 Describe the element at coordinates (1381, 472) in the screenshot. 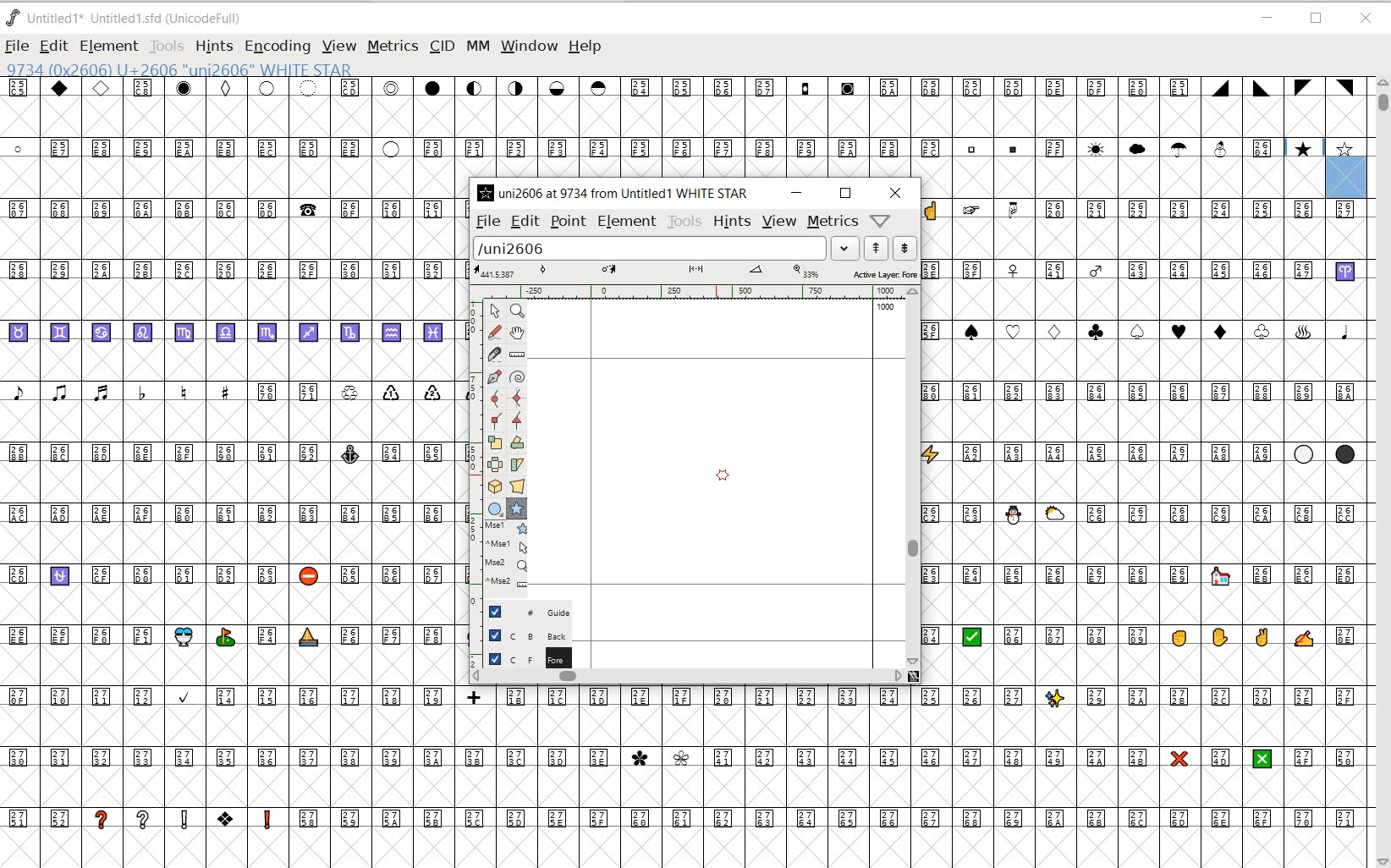

I see `SCROLLBAR` at that location.